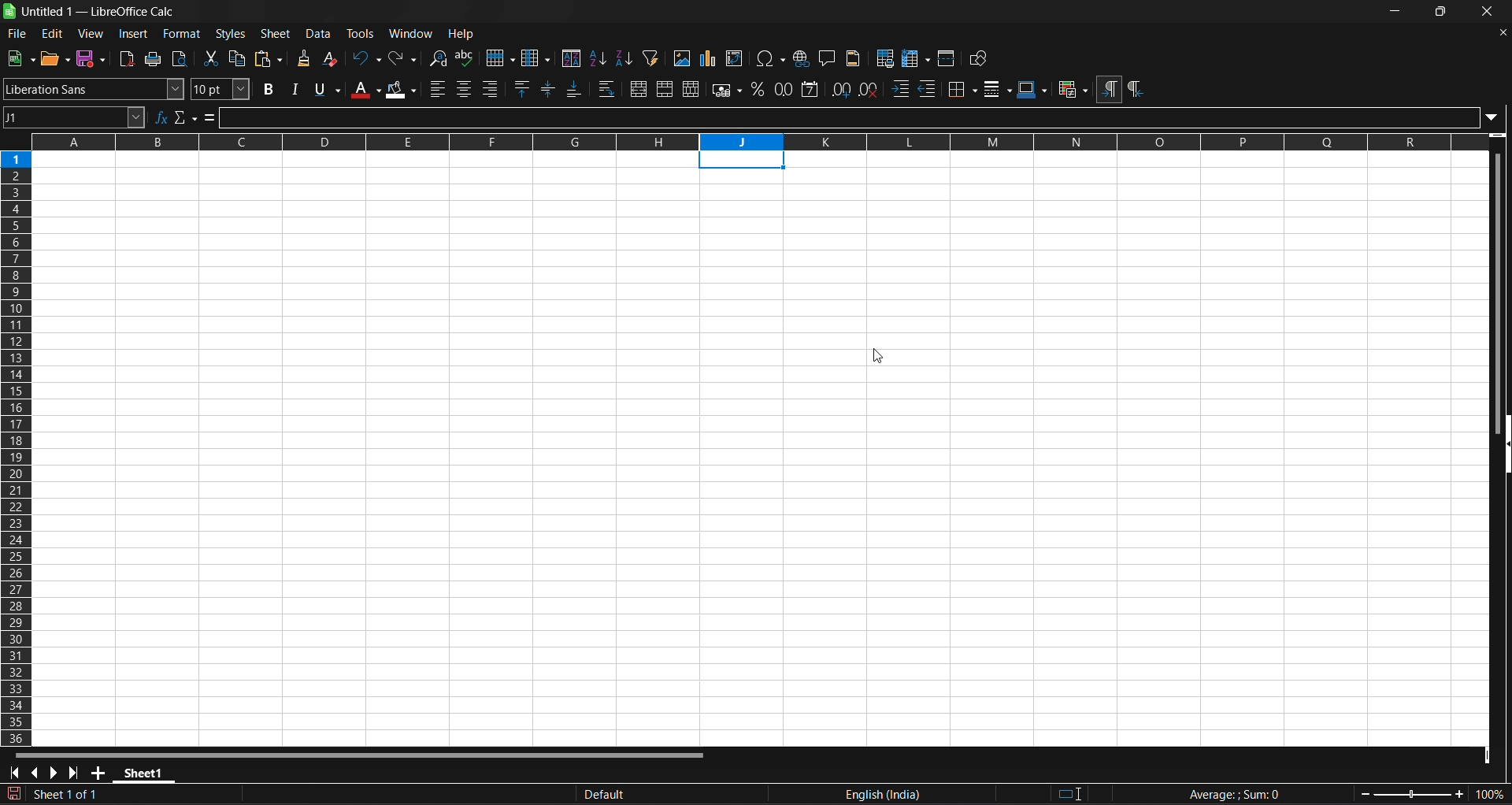 The image size is (1512, 805). What do you see at coordinates (691, 90) in the screenshot?
I see `unmerge cells` at bounding box center [691, 90].